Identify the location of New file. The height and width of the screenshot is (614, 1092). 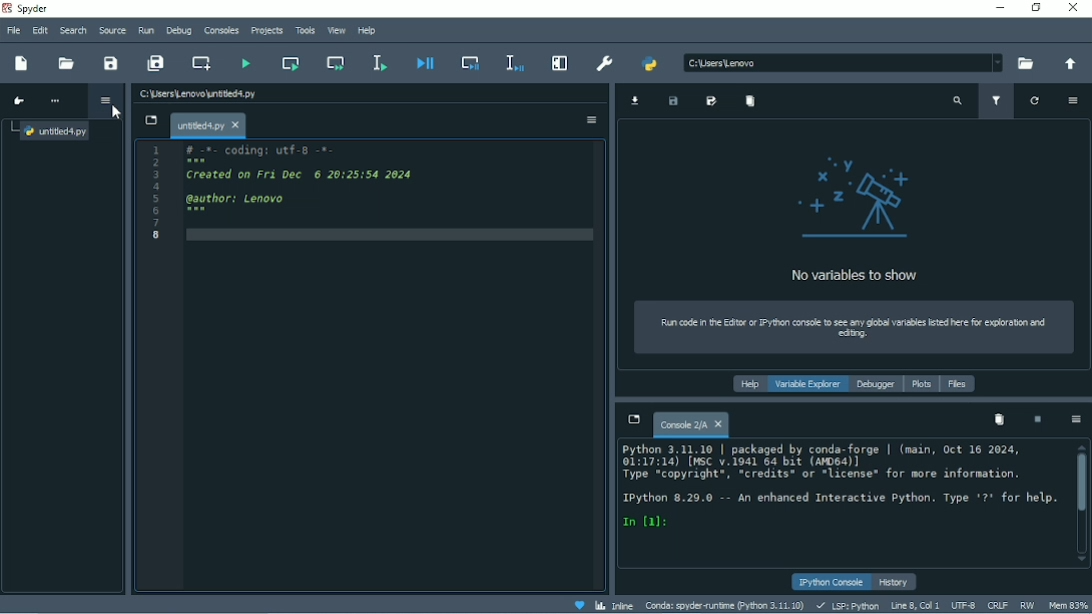
(21, 65).